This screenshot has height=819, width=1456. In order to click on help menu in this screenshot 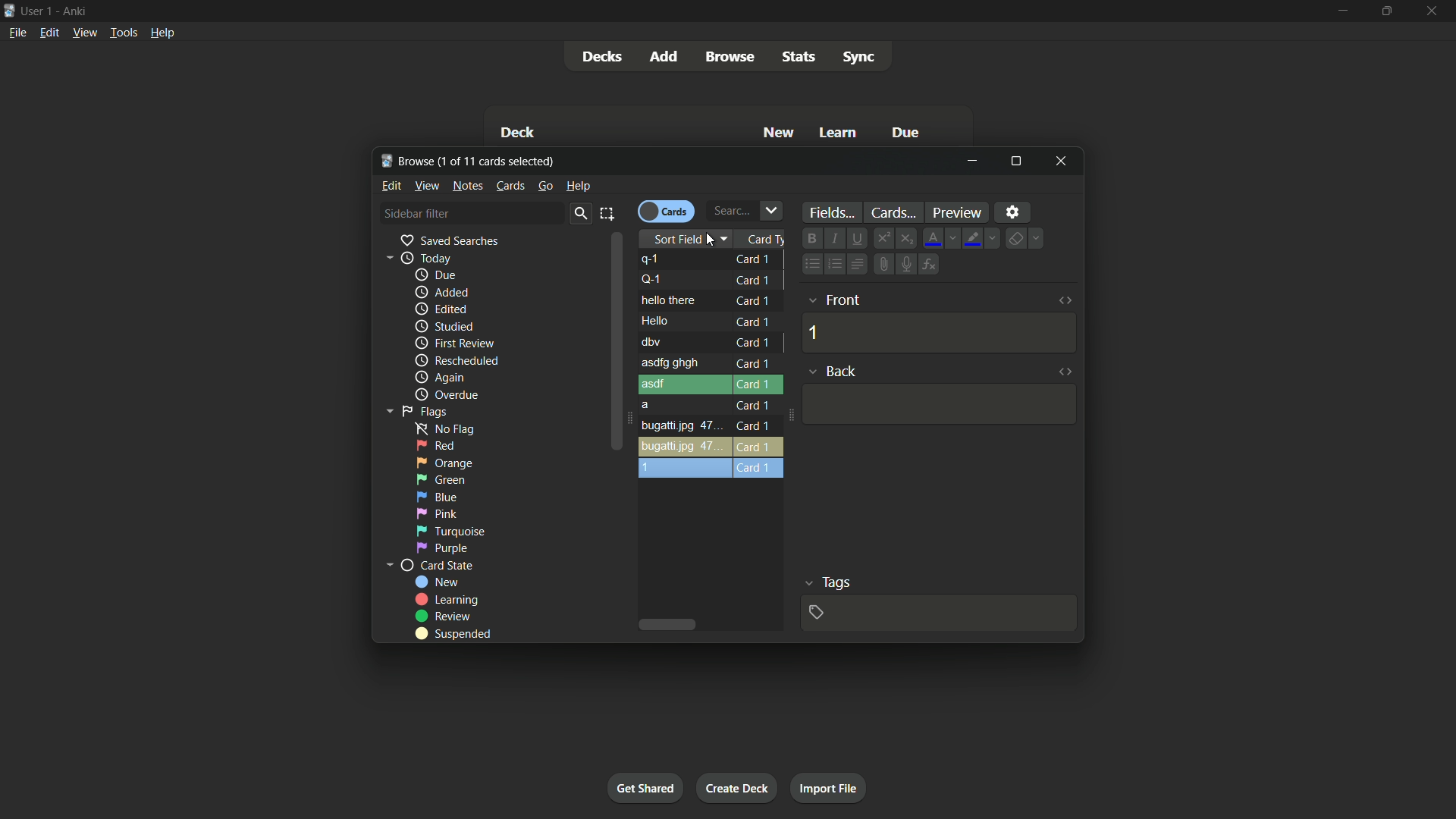, I will do `click(162, 33)`.